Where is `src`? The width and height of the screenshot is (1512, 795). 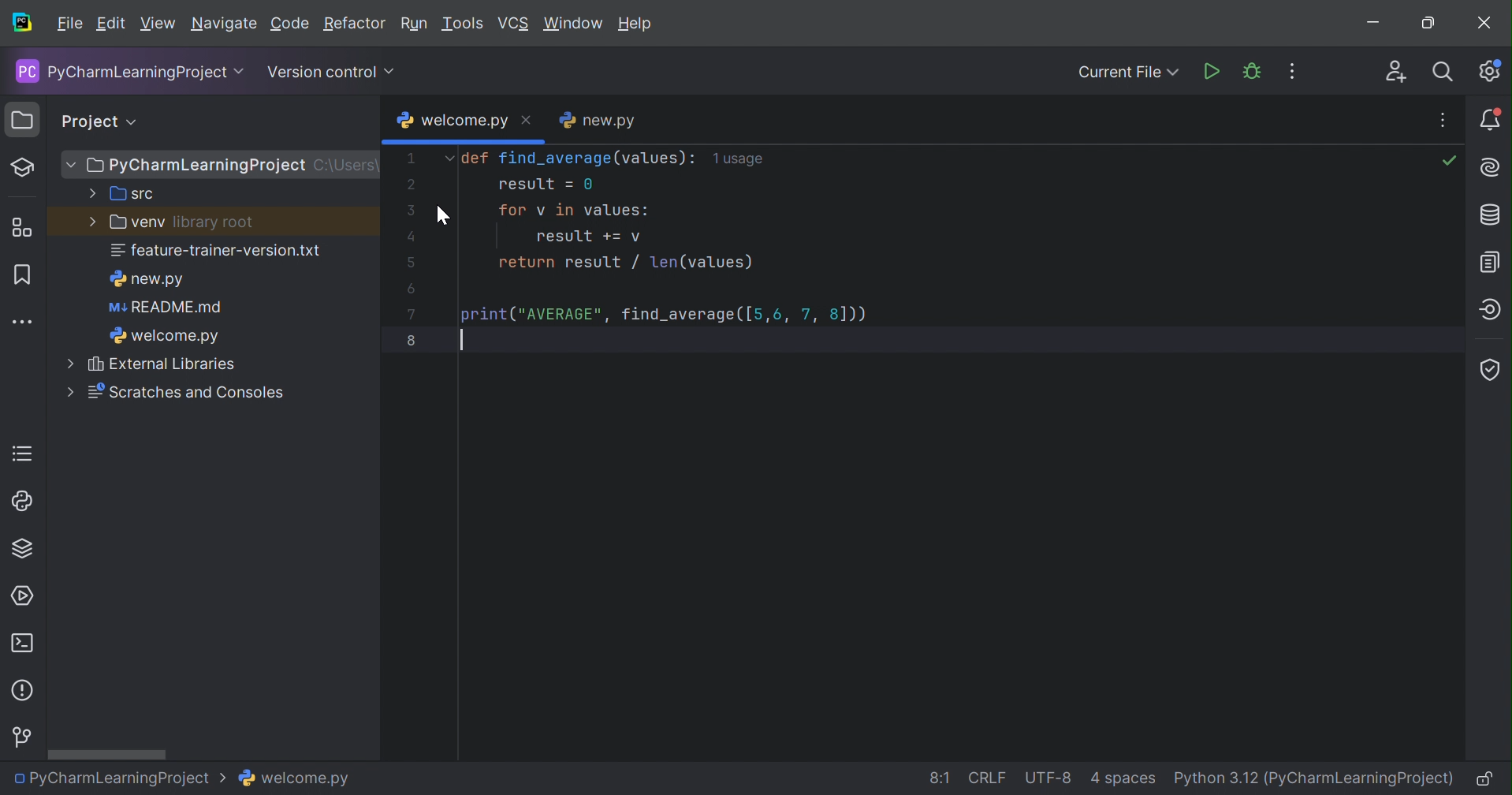
src is located at coordinates (123, 195).